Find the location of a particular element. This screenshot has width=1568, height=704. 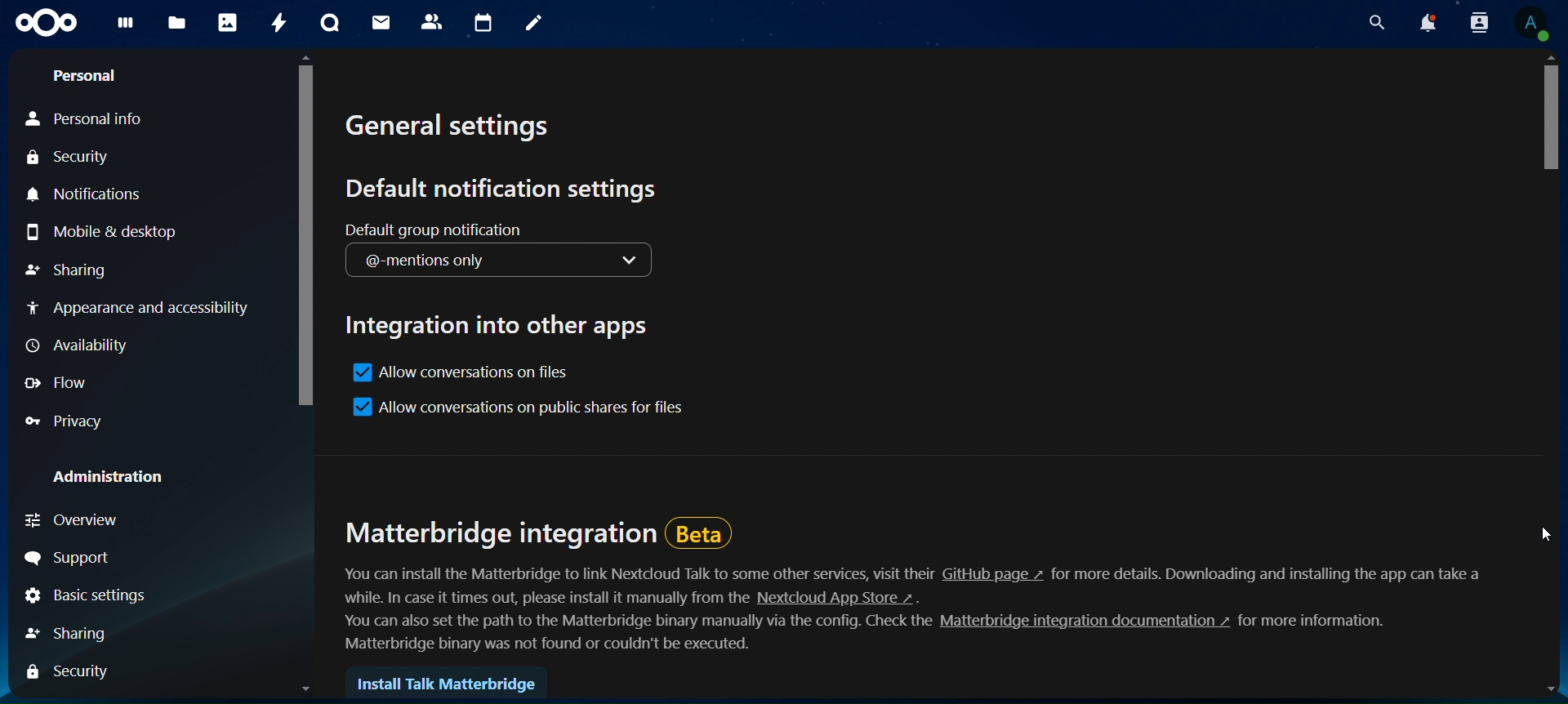

appearance and accessibility  is located at coordinates (135, 305).